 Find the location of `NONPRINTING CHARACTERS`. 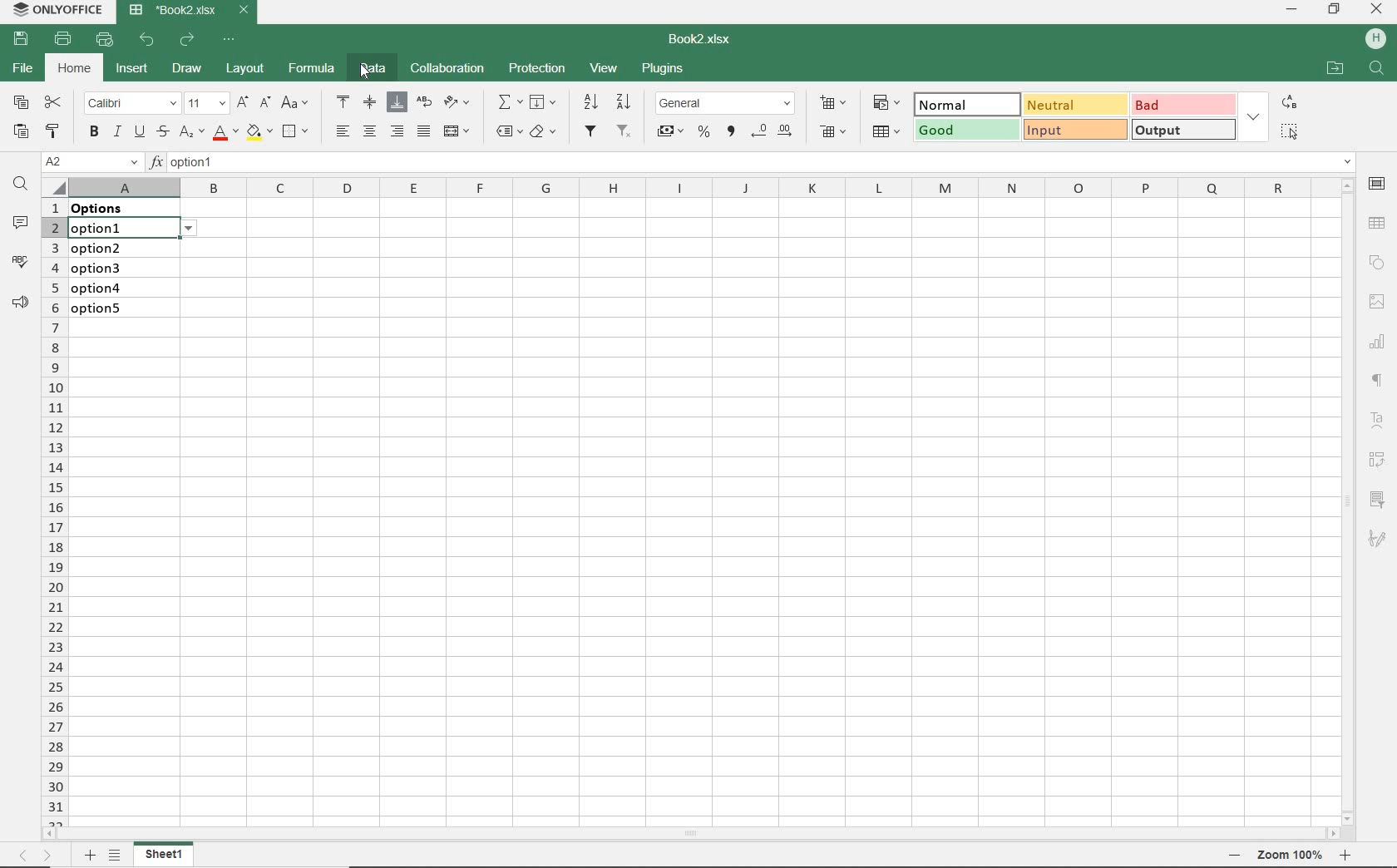

NONPRINTING CHARACTERS is located at coordinates (1380, 382).